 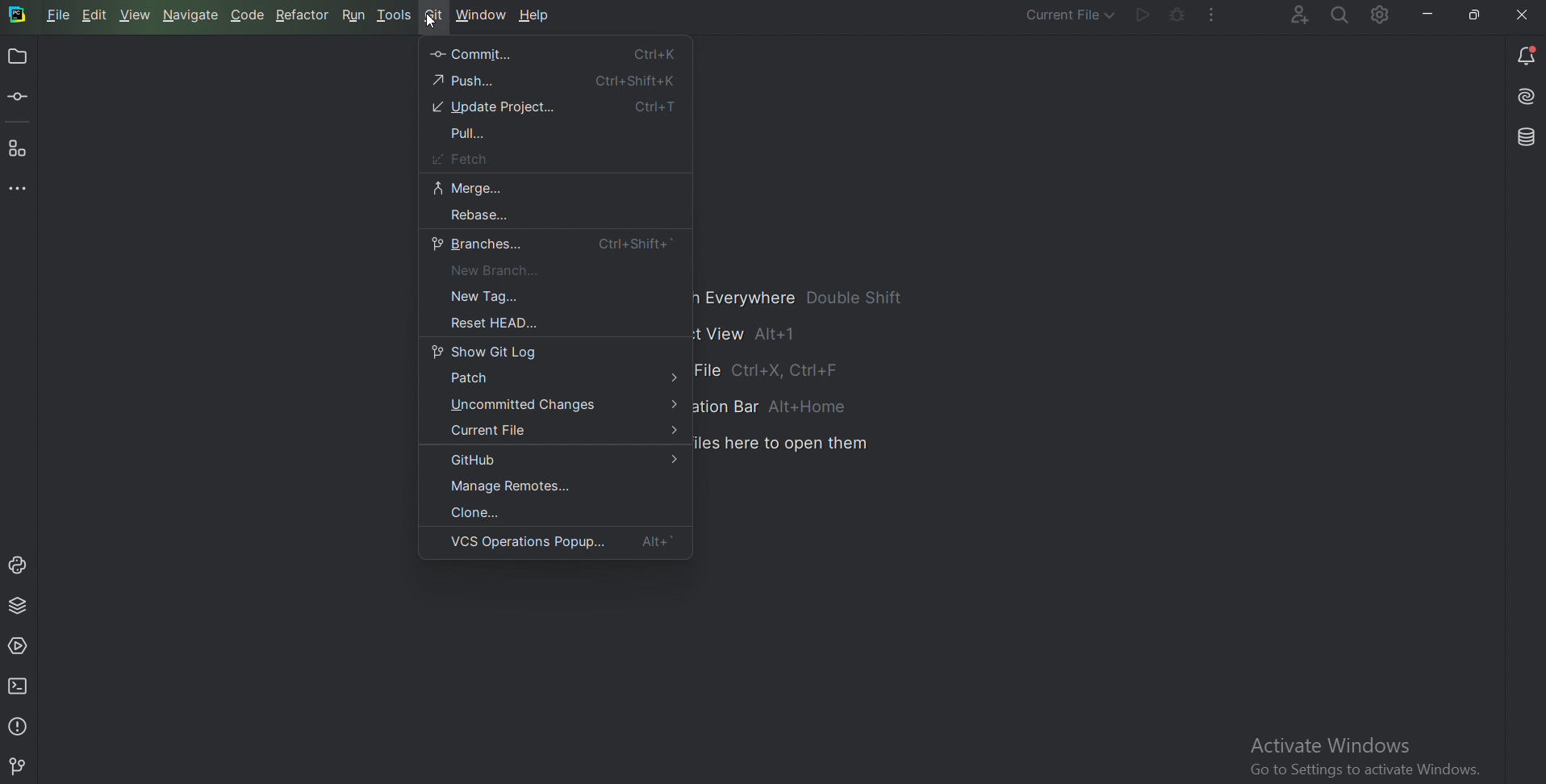 I want to click on Run, so click(x=353, y=15).